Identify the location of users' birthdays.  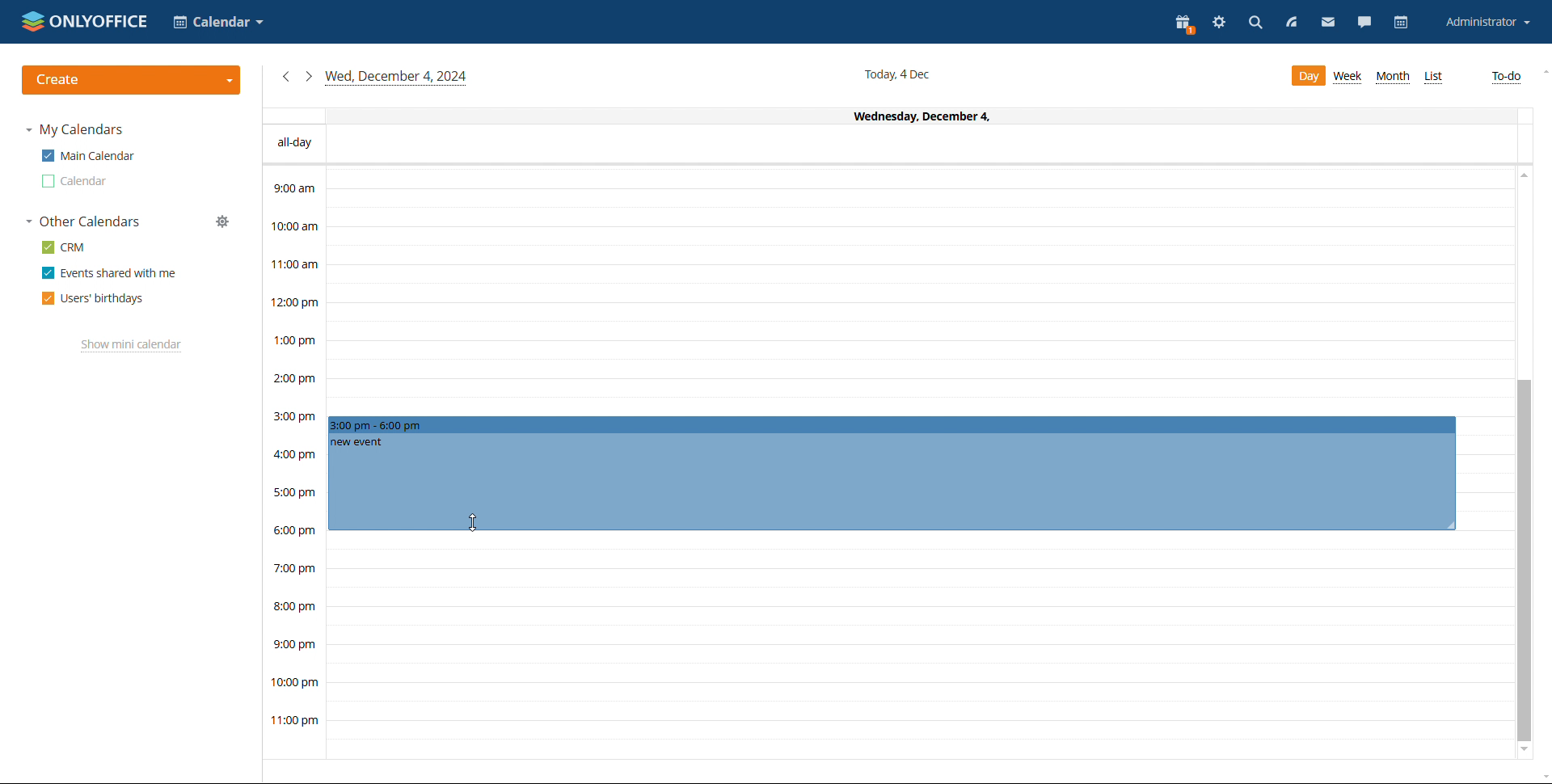
(93, 298).